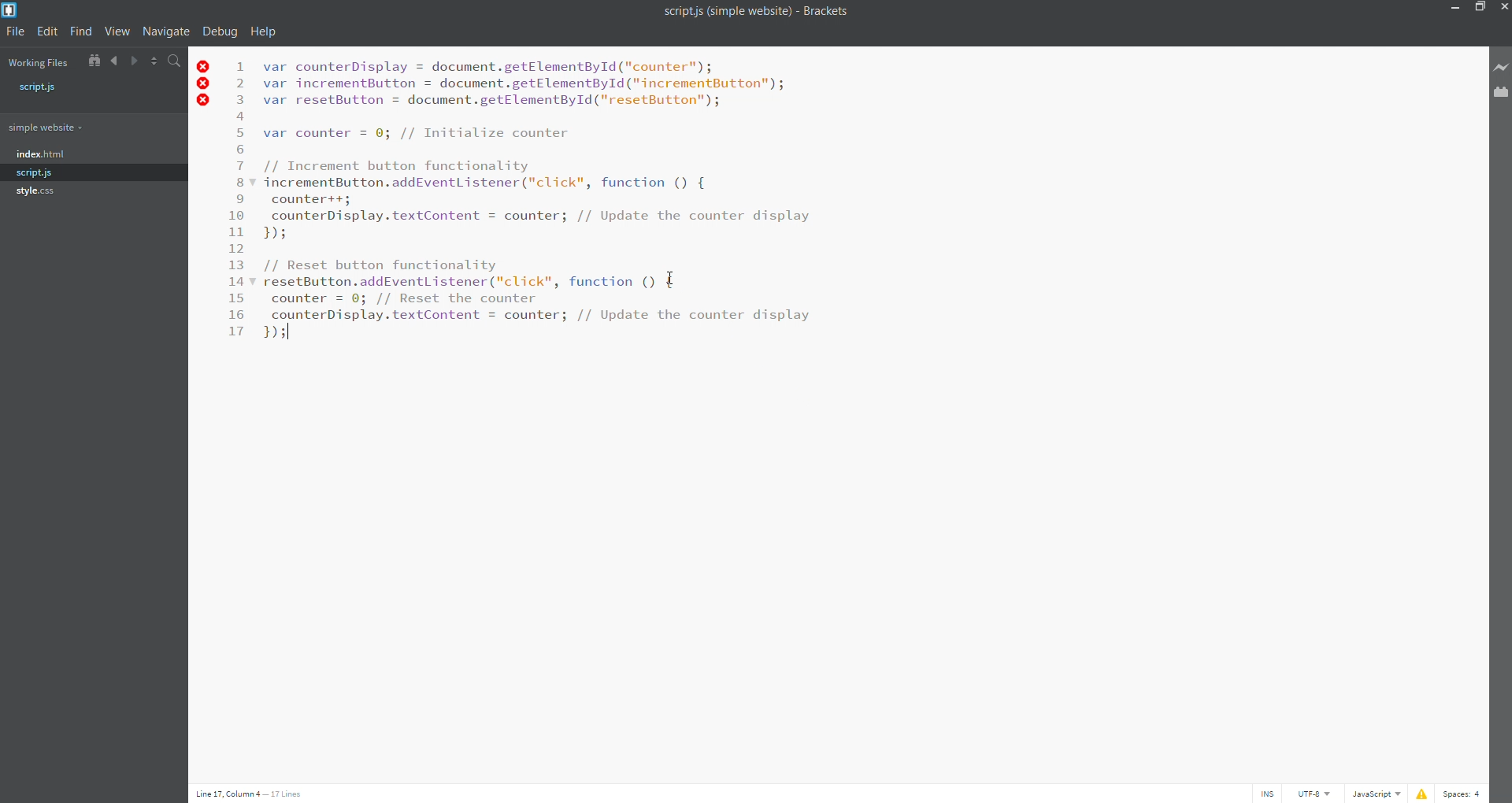  What do you see at coordinates (88, 189) in the screenshot?
I see `style.css` at bounding box center [88, 189].